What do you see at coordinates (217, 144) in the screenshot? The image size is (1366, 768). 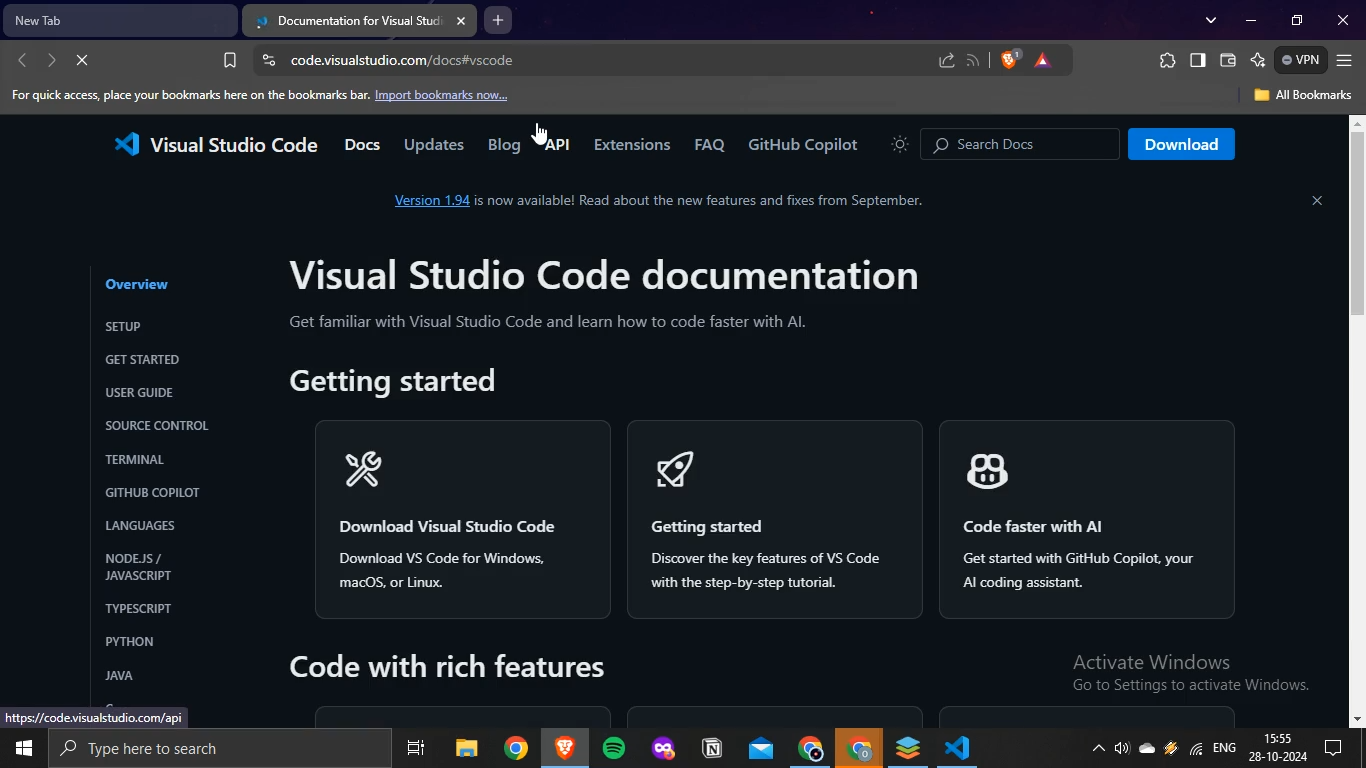 I see `Visual Studio Code` at bounding box center [217, 144].